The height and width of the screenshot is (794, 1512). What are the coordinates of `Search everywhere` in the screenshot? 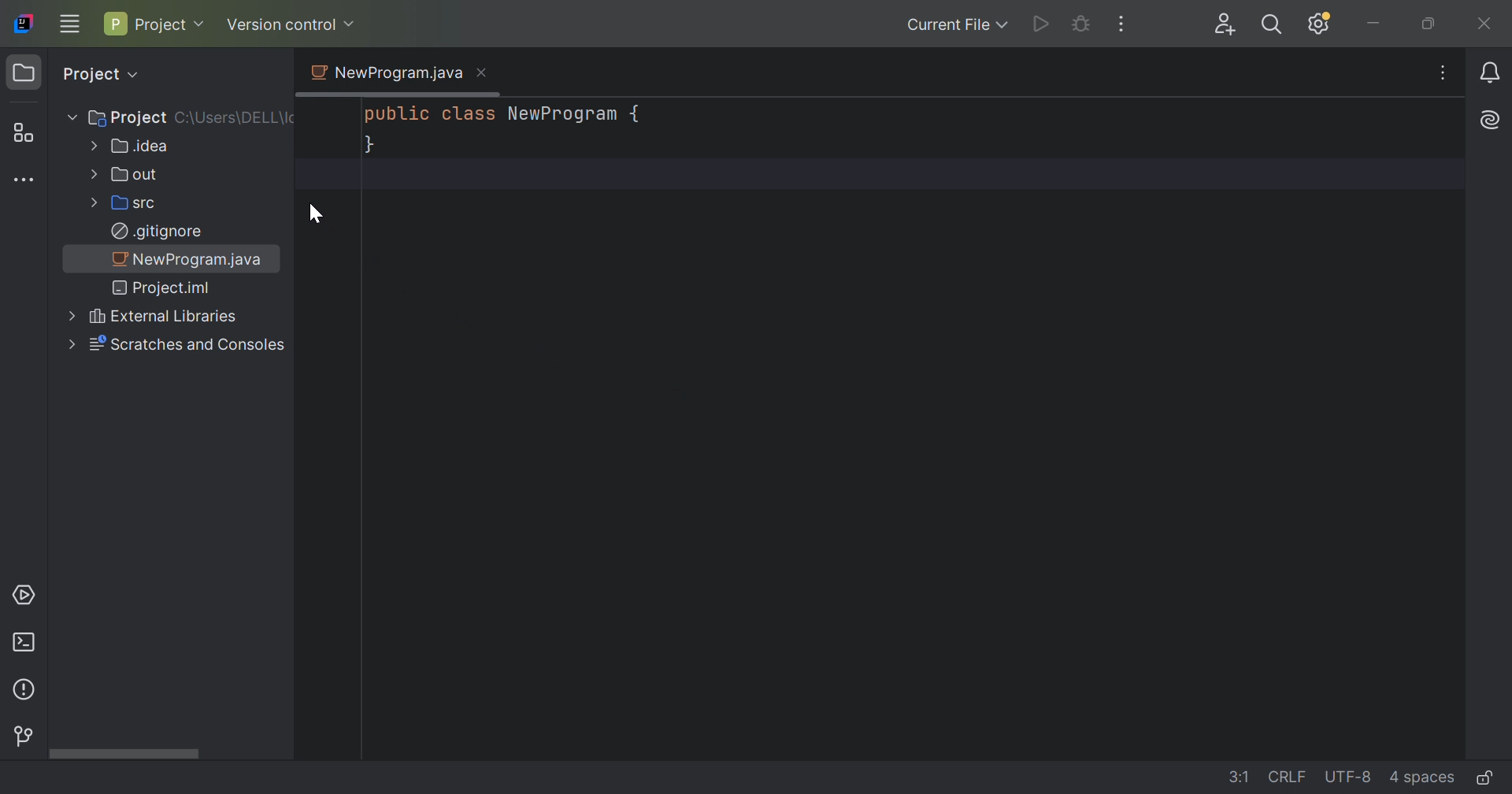 It's located at (1270, 27).